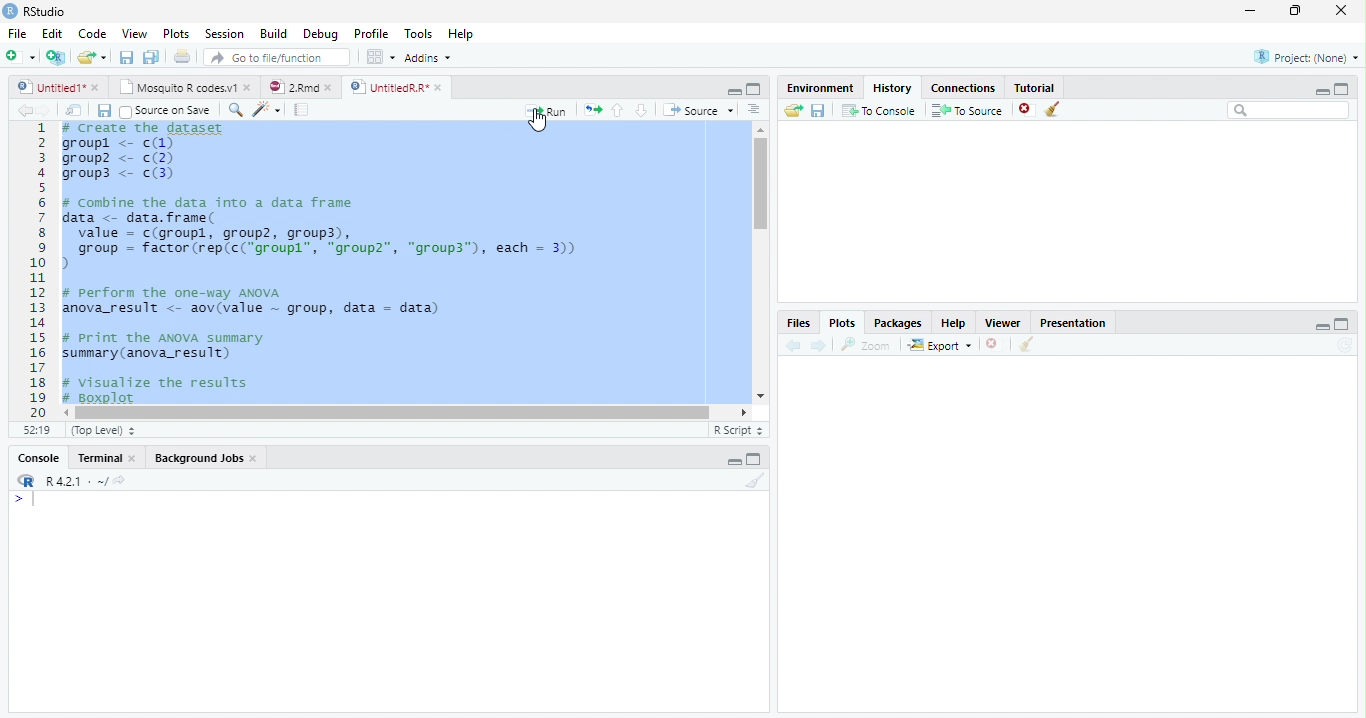 Image resolution: width=1366 pixels, height=718 pixels. What do you see at coordinates (128, 58) in the screenshot?
I see `Save` at bounding box center [128, 58].